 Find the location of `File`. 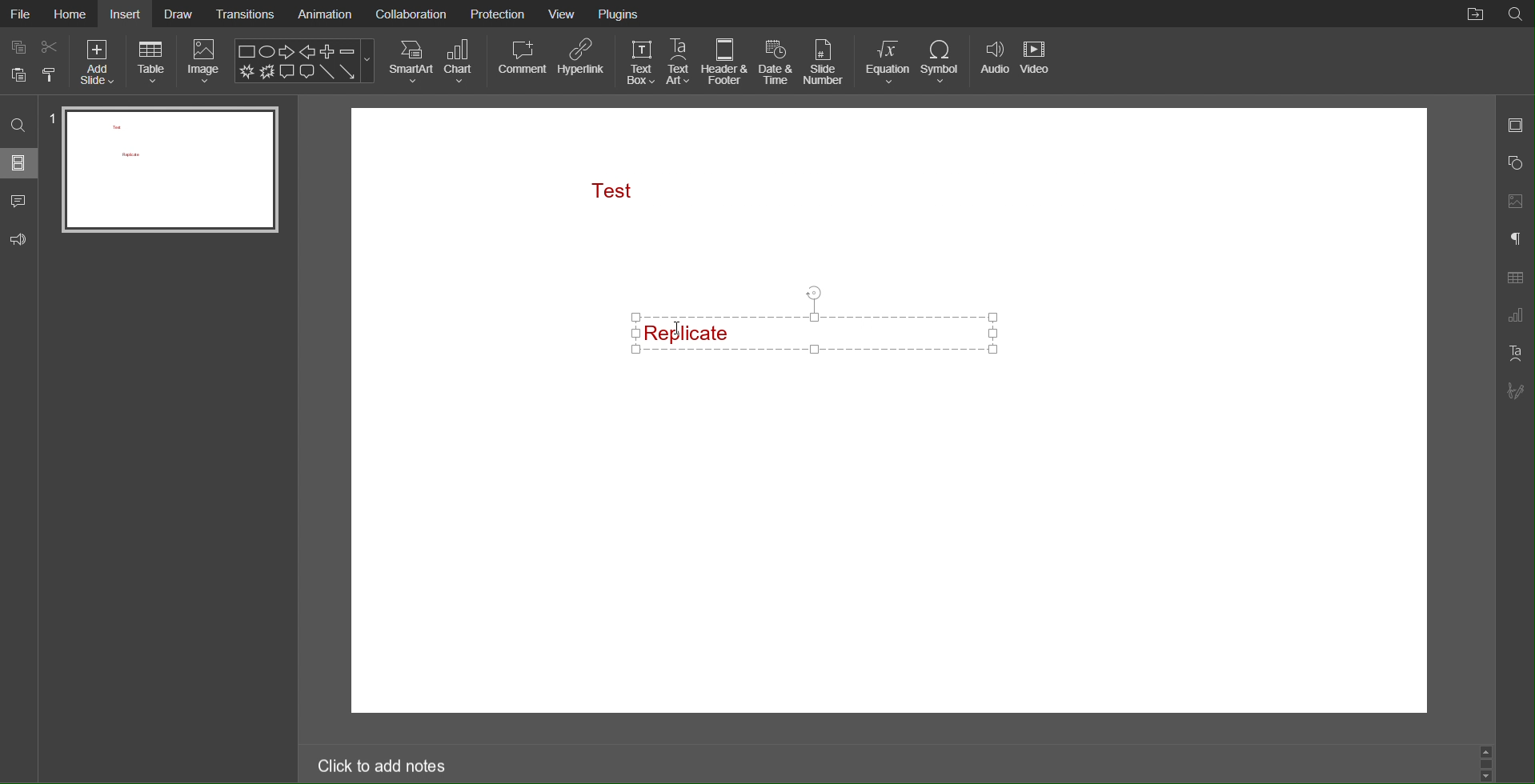

File is located at coordinates (21, 13).